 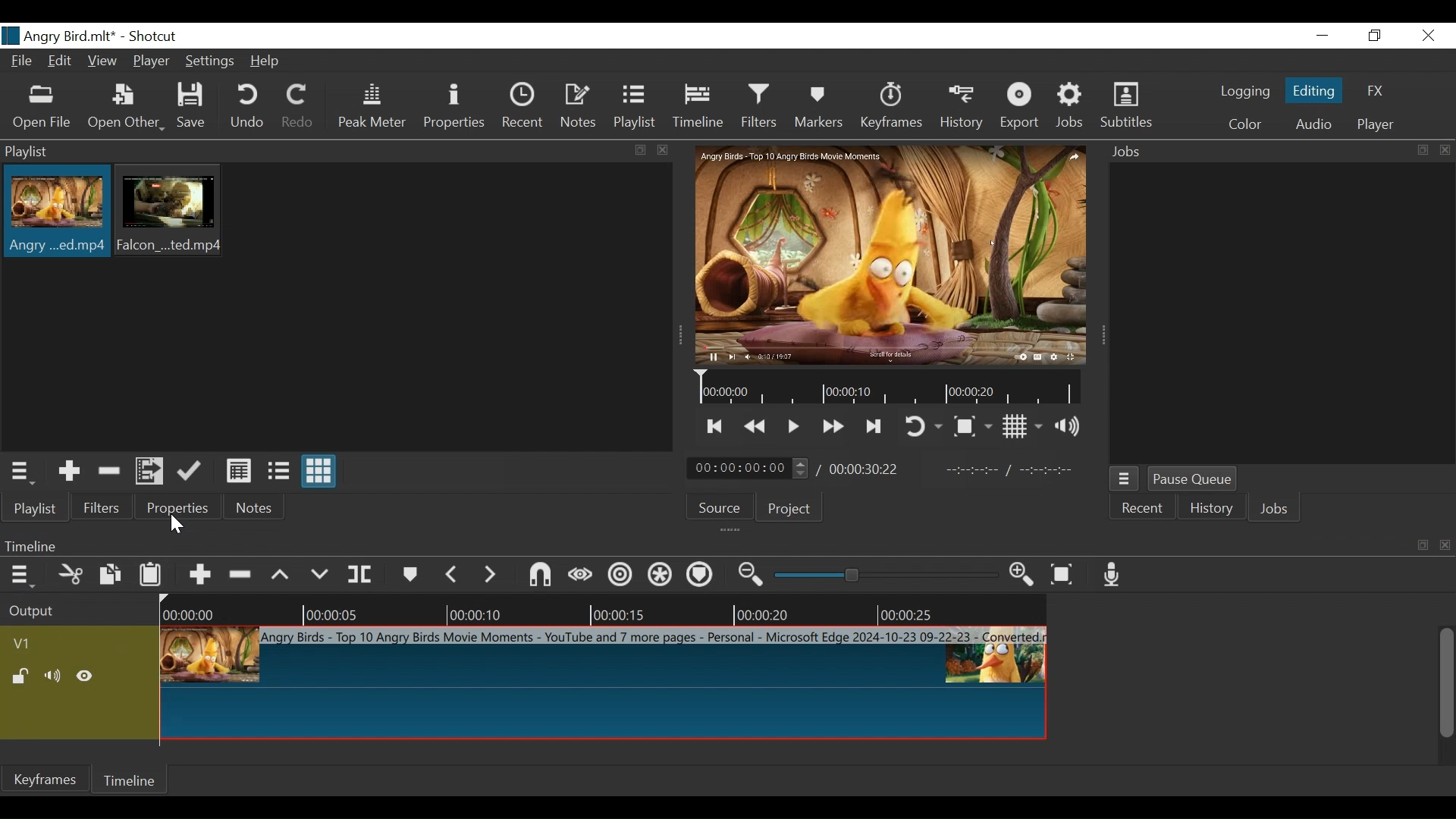 What do you see at coordinates (152, 61) in the screenshot?
I see `Player` at bounding box center [152, 61].